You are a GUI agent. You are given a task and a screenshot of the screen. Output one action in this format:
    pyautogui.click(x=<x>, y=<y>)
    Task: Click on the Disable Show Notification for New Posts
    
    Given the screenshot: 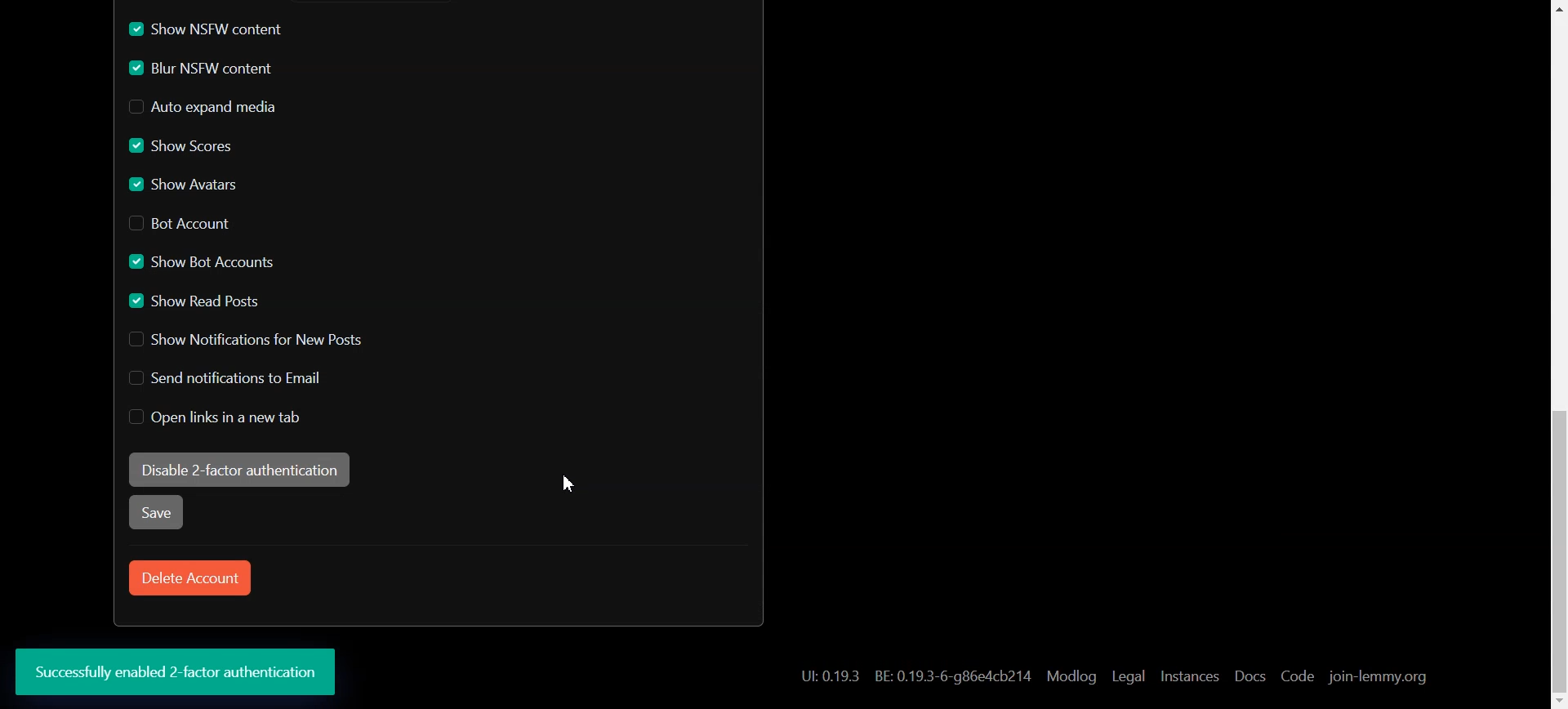 What is the action you would take?
    pyautogui.click(x=247, y=340)
    